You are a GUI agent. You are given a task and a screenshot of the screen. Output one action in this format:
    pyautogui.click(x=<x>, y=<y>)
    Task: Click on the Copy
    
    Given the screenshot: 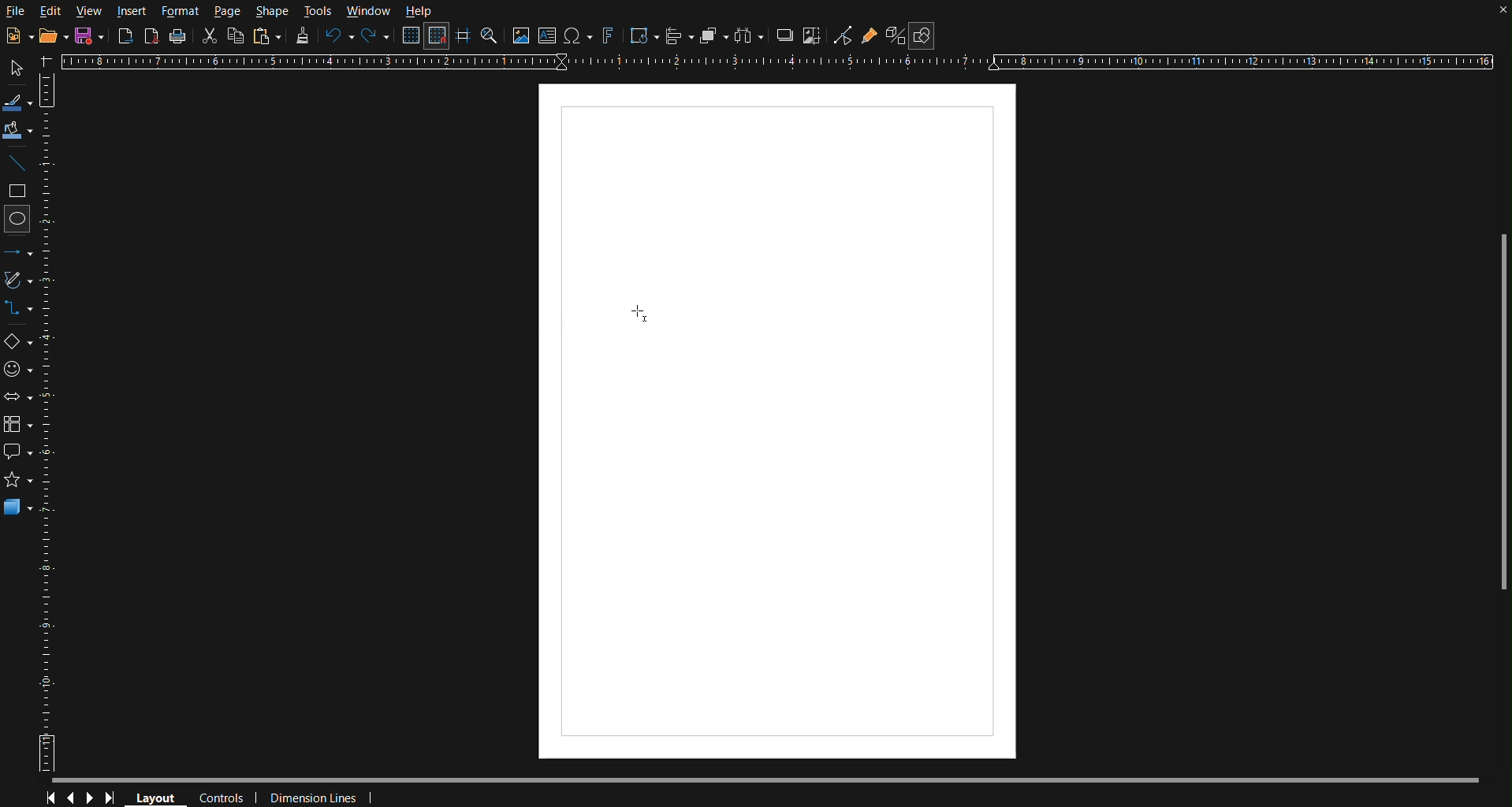 What is the action you would take?
    pyautogui.click(x=236, y=35)
    